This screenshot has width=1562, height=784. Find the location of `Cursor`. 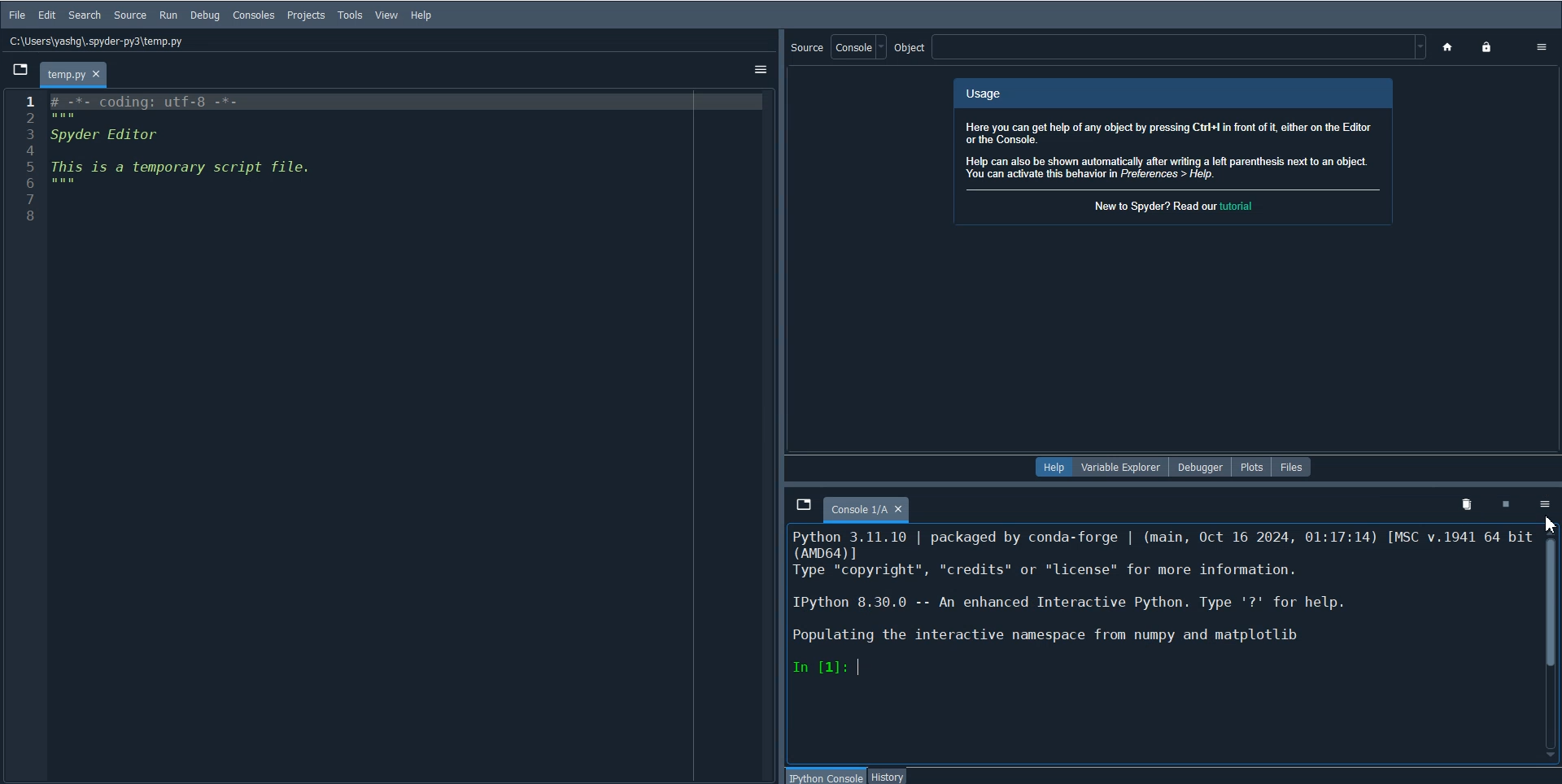

Cursor is located at coordinates (1551, 526).